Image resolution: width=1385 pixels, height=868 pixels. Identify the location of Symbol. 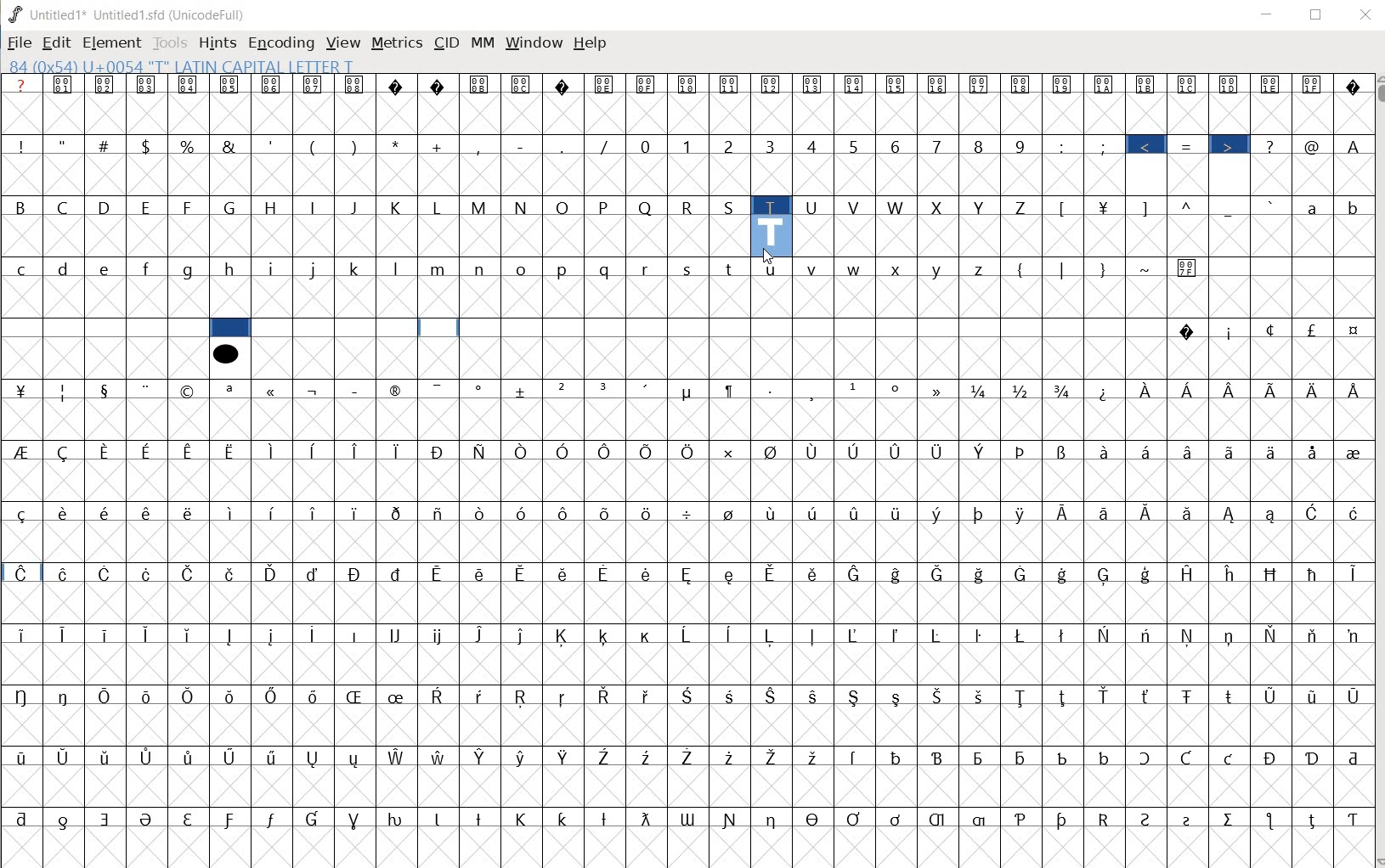
(1024, 391).